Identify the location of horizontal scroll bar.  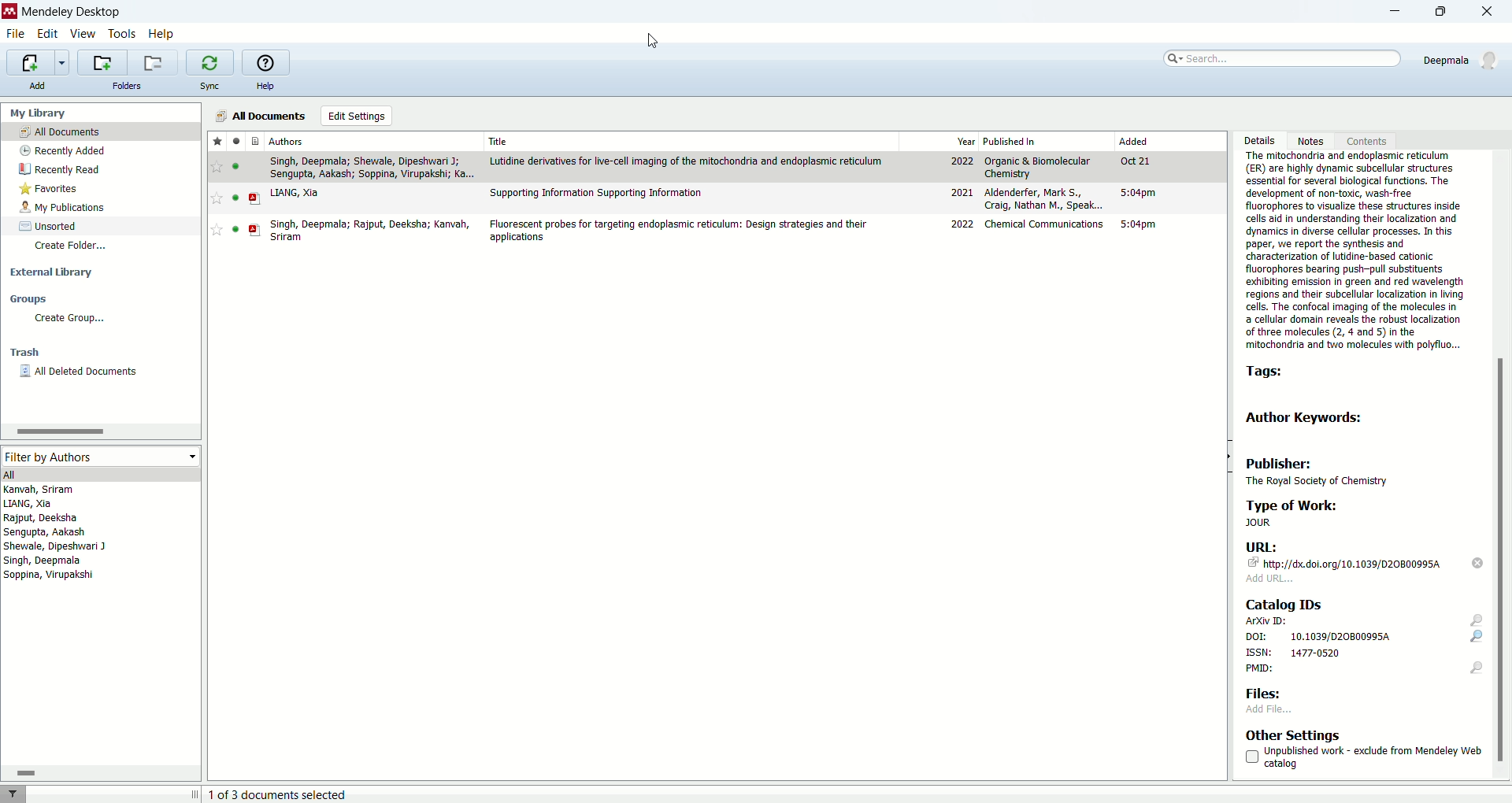
(99, 431).